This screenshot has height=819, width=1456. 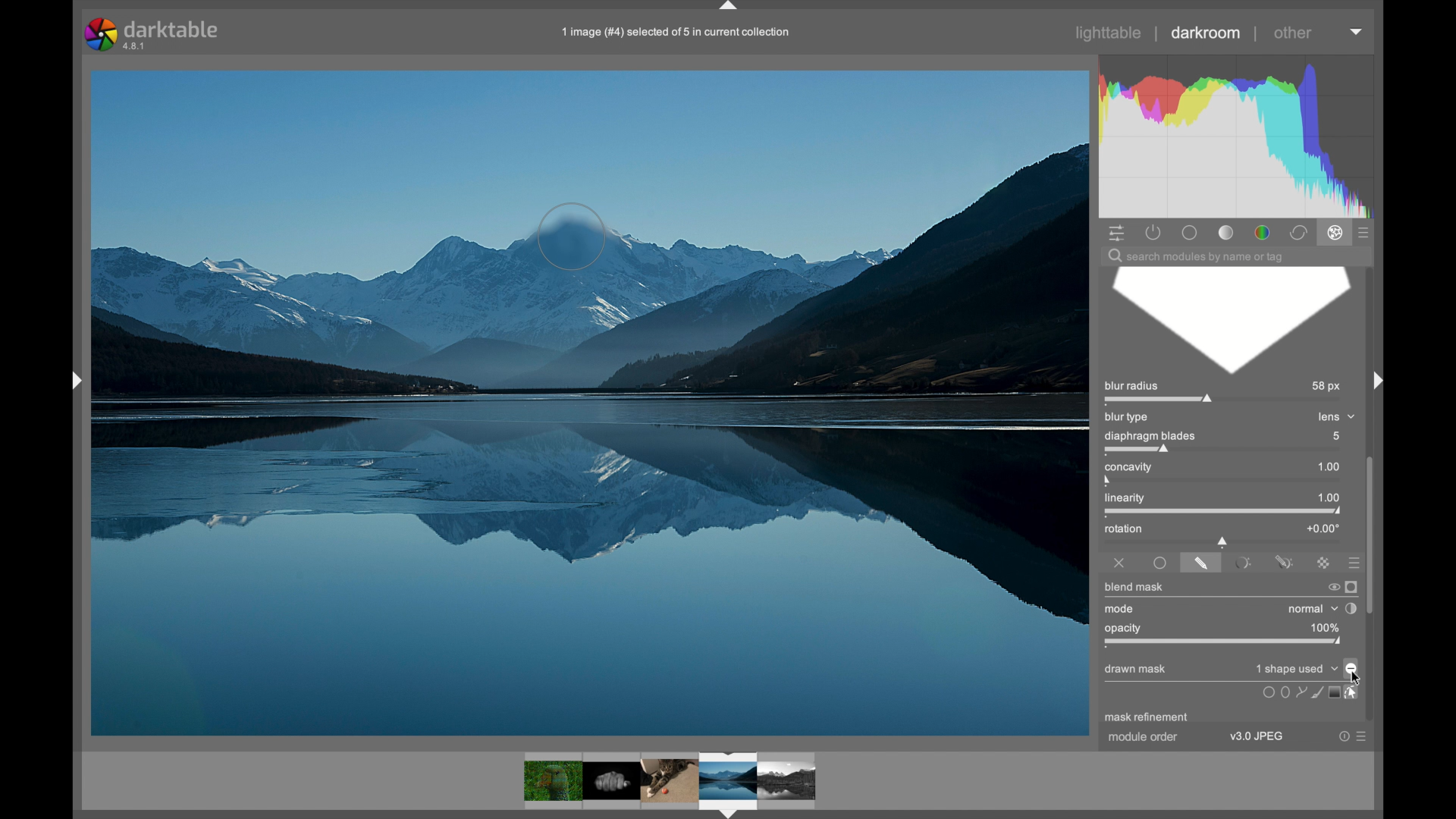 I want to click on toggle blending order, so click(x=1352, y=608).